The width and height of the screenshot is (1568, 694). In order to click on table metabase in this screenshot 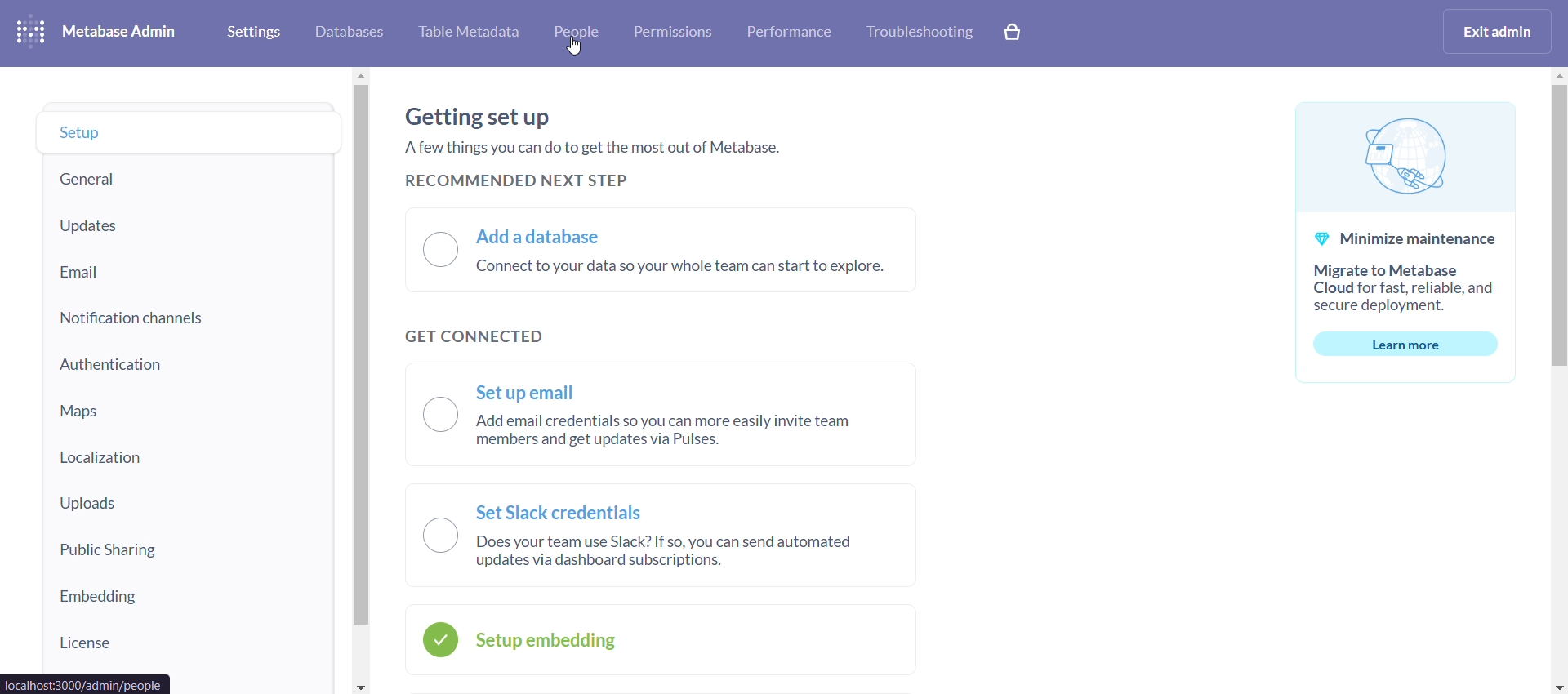, I will do `click(468, 33)`.